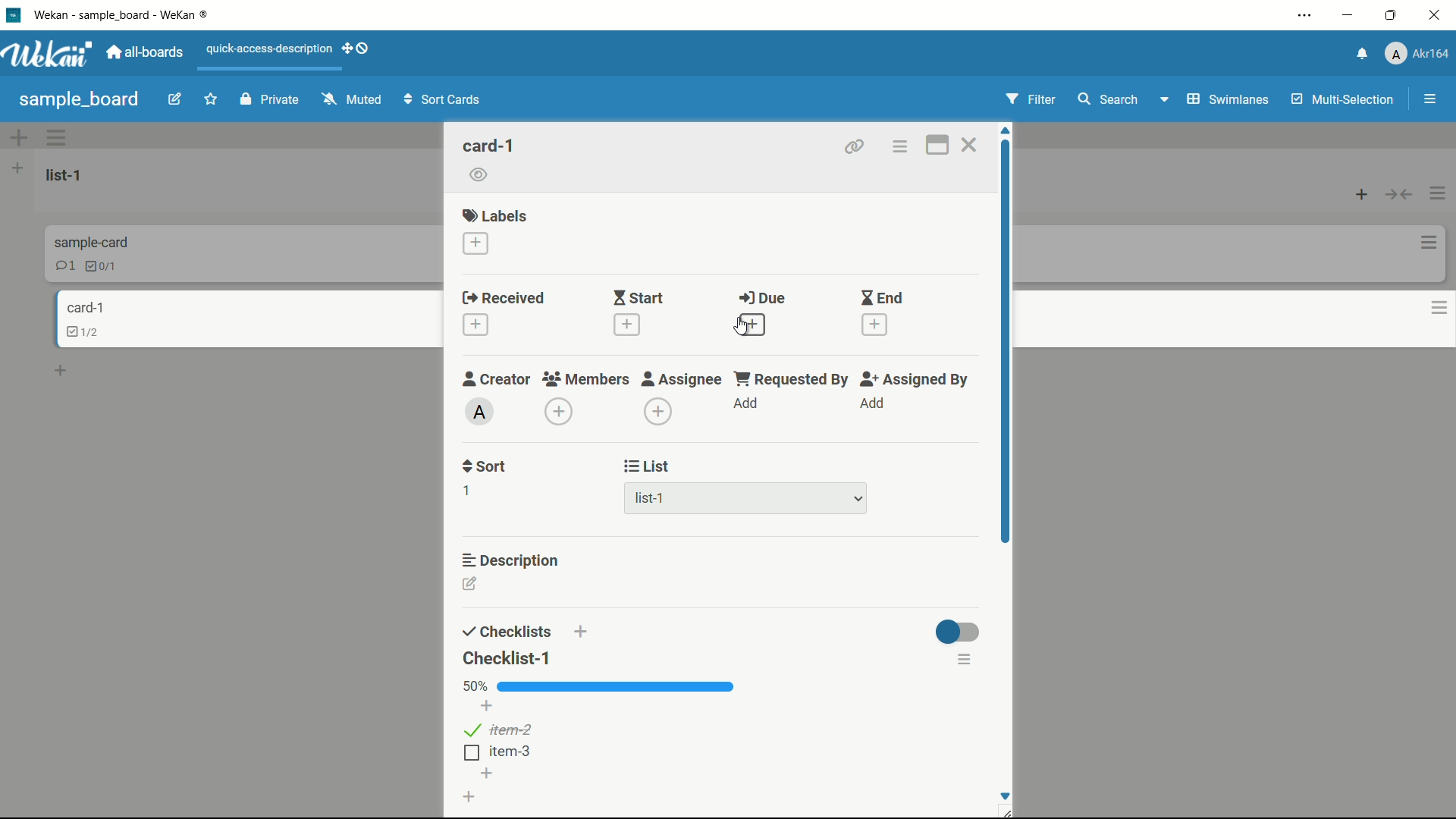 The height and width of the screenshot is (819, 1456). I want to click on filter, so click(1034, 99).